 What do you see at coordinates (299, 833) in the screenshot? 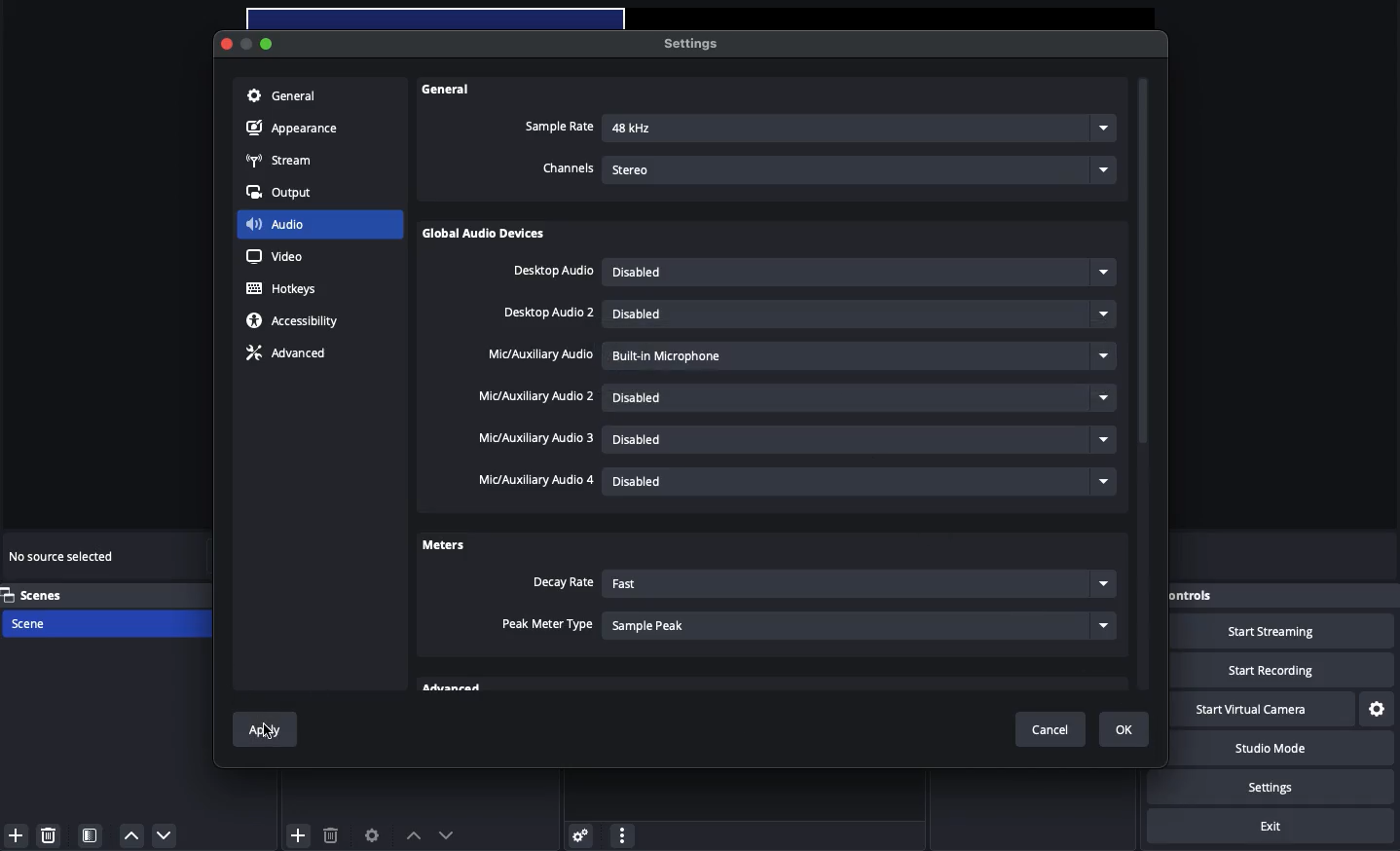
I see `Add` at bounding box center [299, 833].